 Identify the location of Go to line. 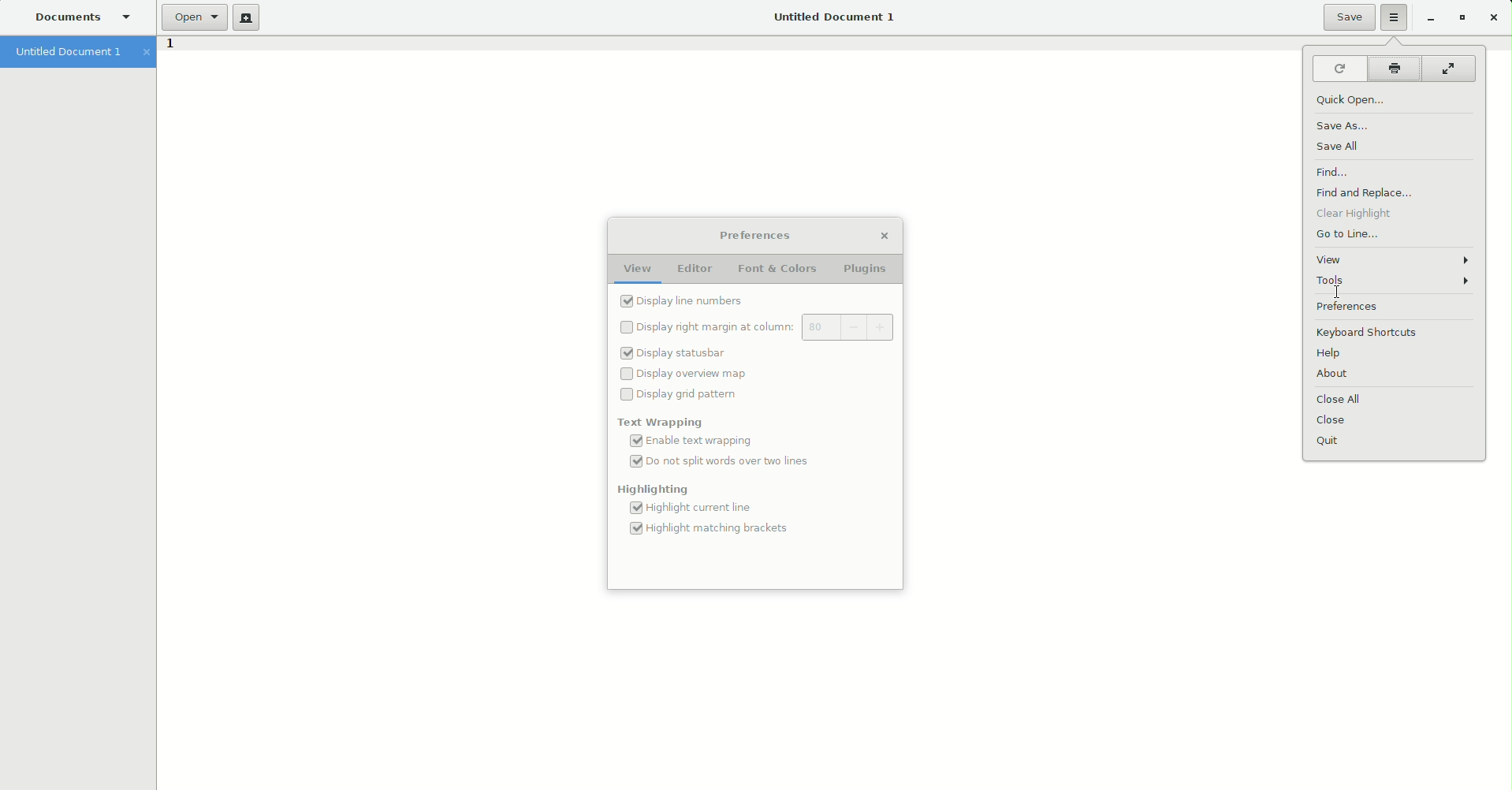
(1350, 237).